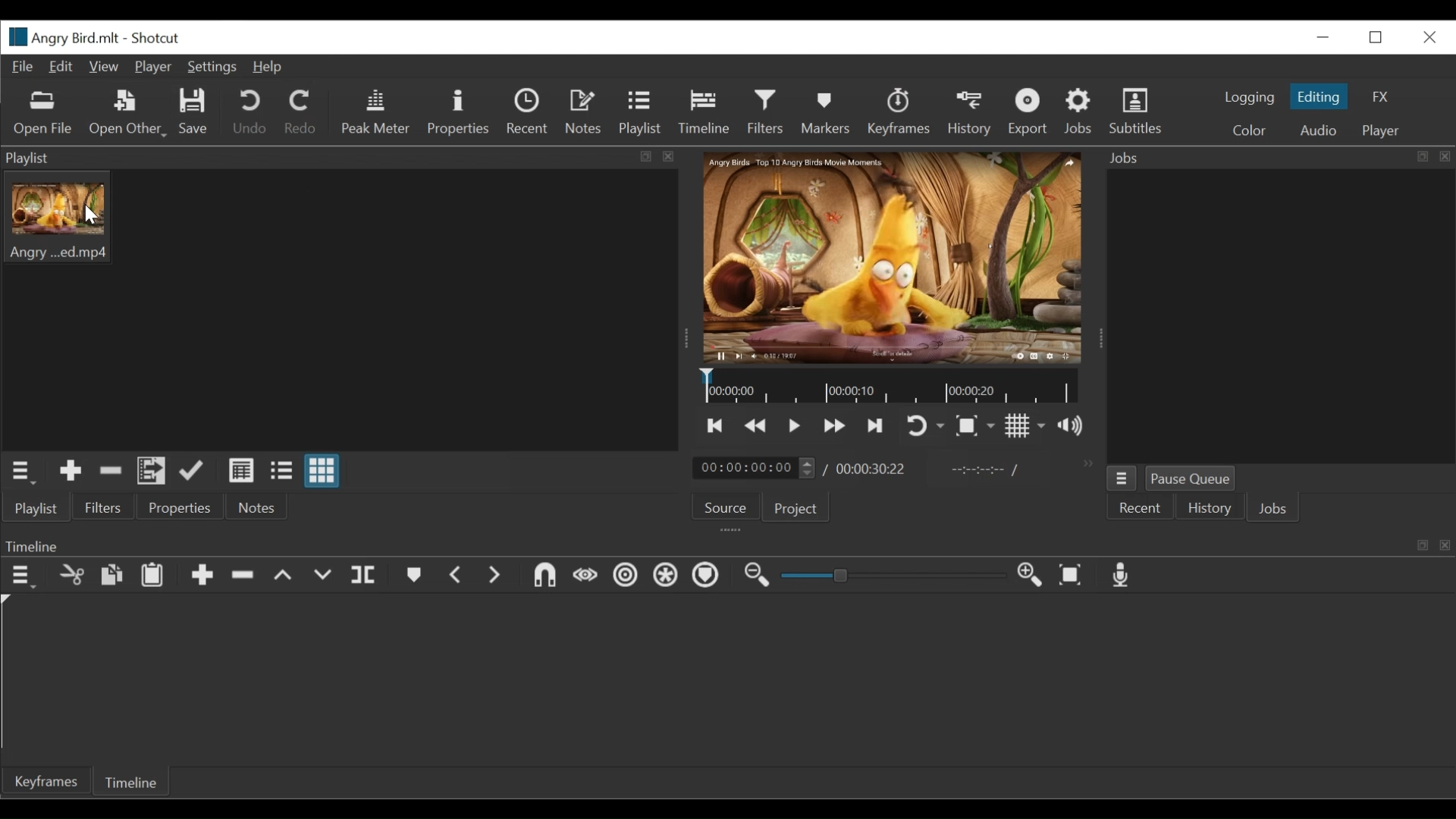 The image size is (1456, 819). I want to click on Total duration, so click(872, 468).